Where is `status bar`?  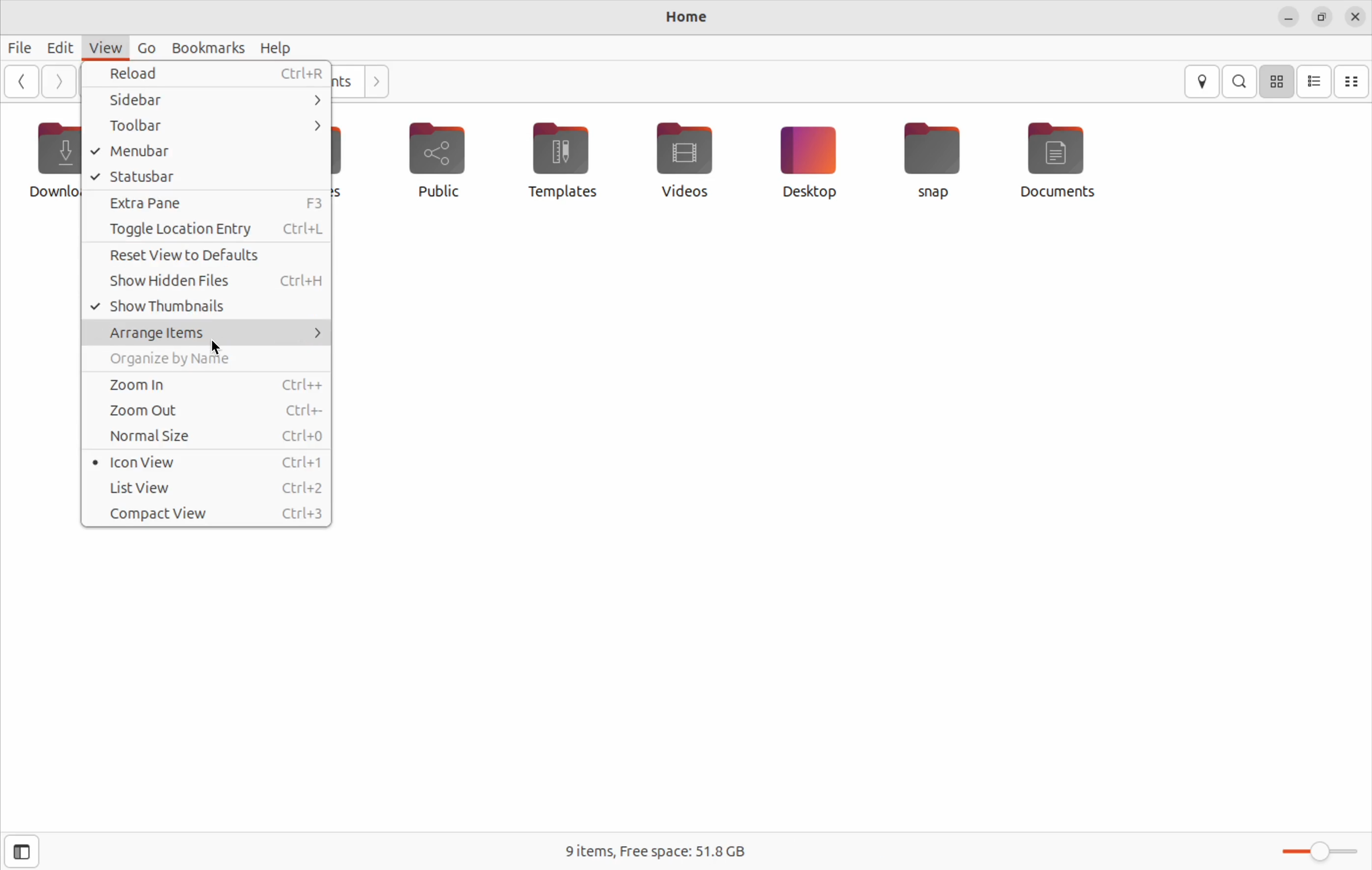
status bar is located at coordinates (207, 177).